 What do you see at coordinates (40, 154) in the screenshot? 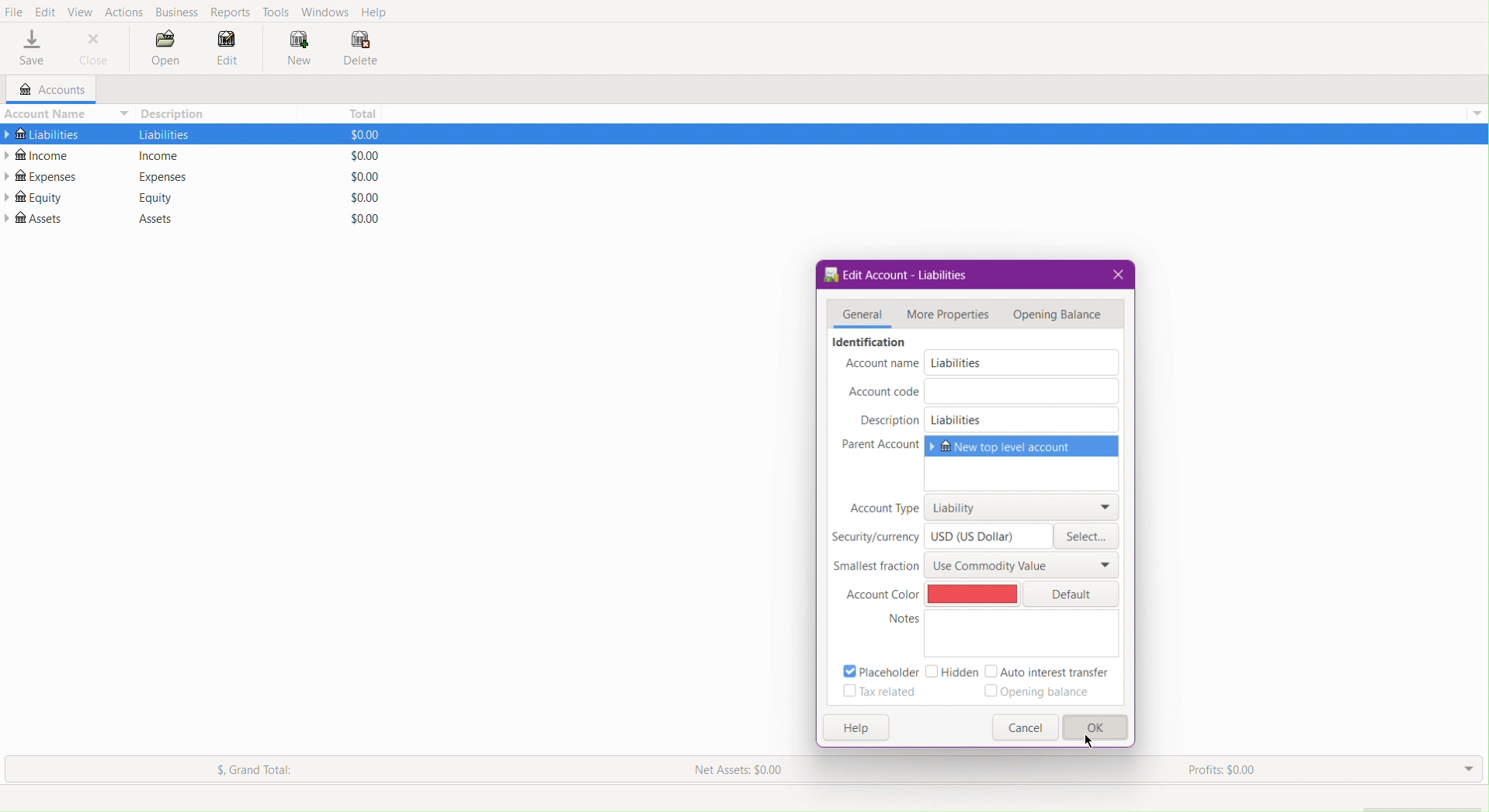
I see `Income` at bounding box center [40, 154].